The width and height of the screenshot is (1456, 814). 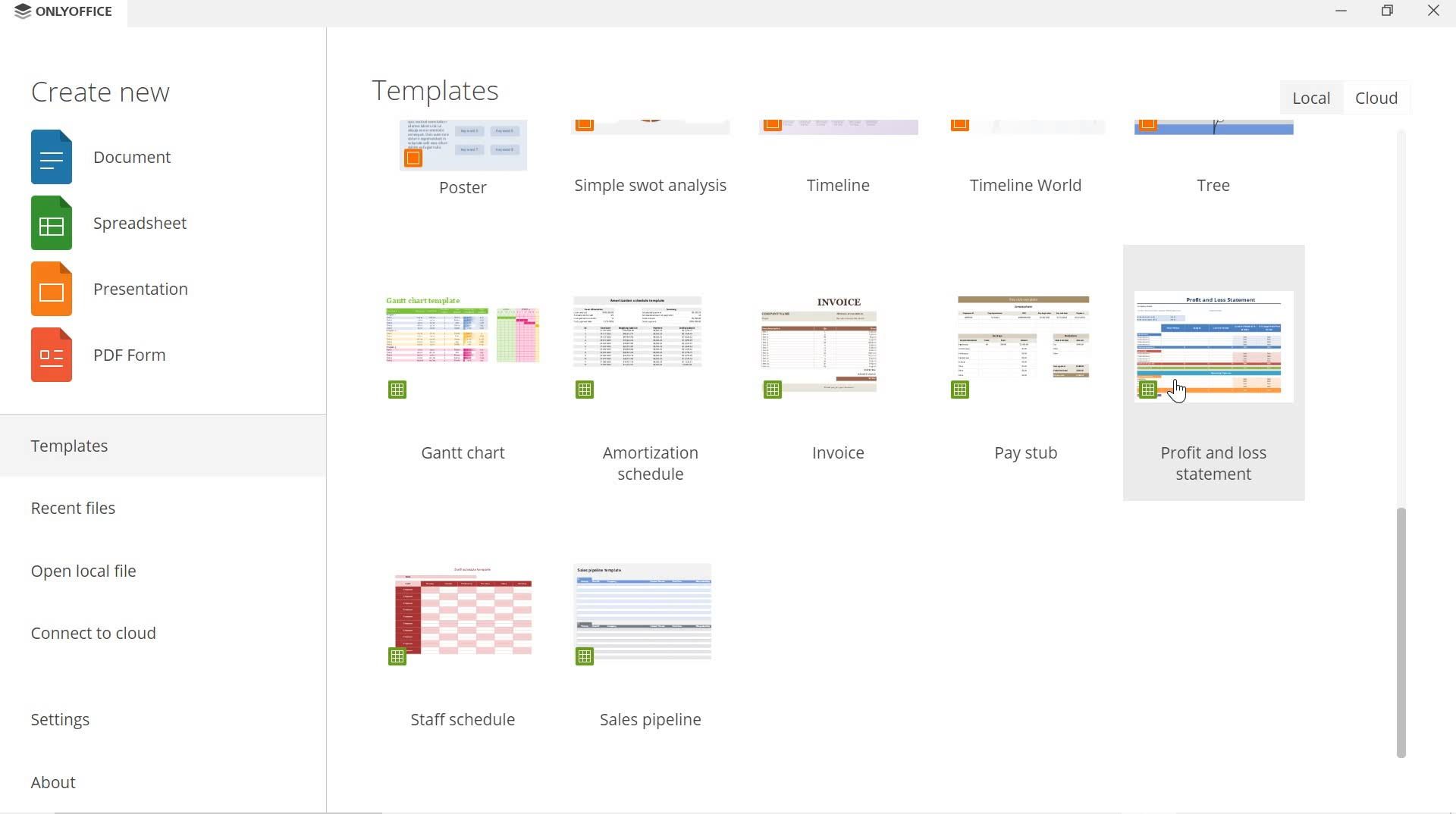 I want to click on DOCUMENT, so click(x=106, y=158).